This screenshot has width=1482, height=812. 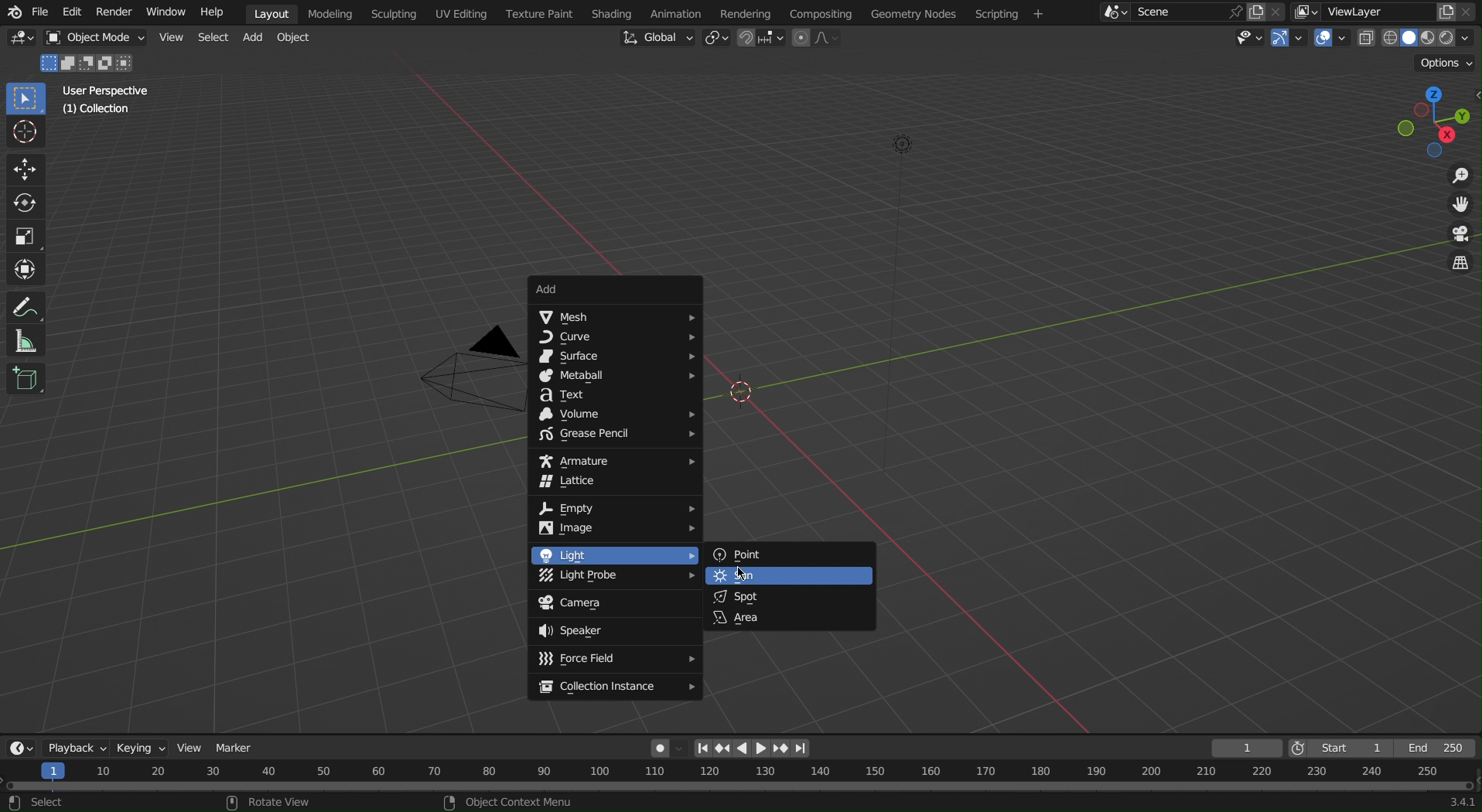 I want to click on next, so click(x=801, y=749).